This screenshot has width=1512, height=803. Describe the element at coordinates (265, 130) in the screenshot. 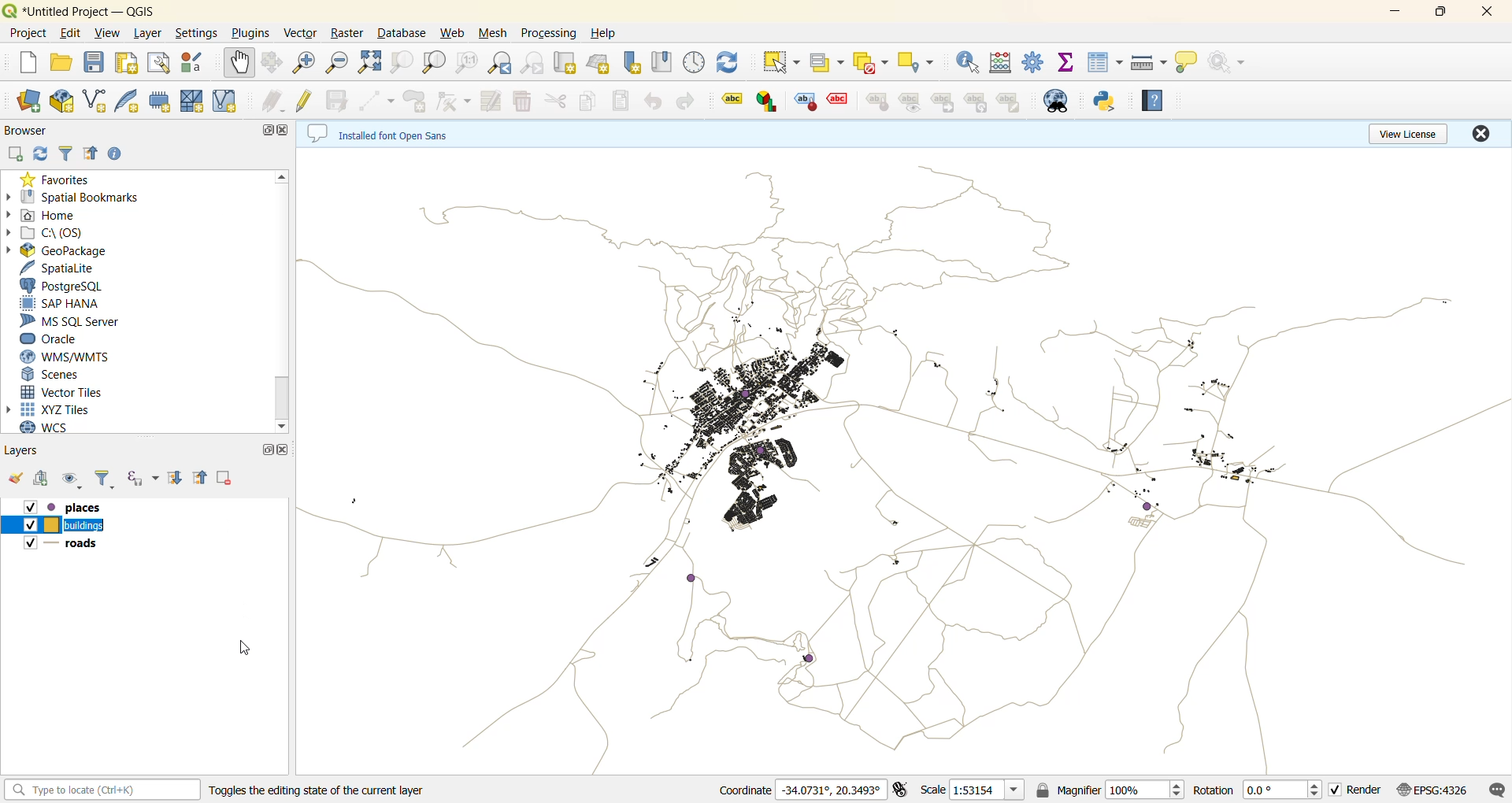

I see `maximize` at that location.